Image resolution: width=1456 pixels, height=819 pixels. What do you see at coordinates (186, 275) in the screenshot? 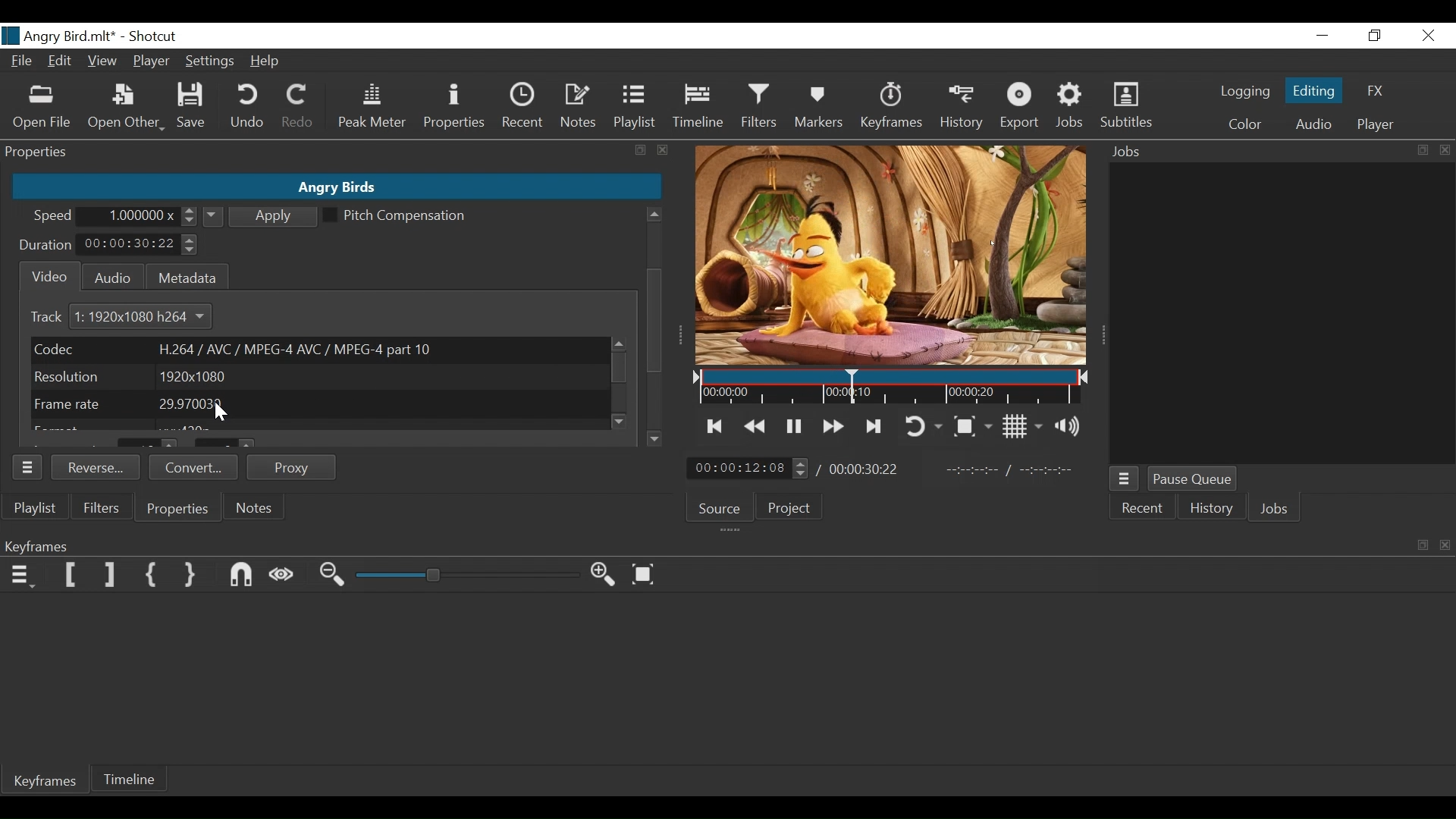
I see `Metadata` at bounding box center [186, 275].